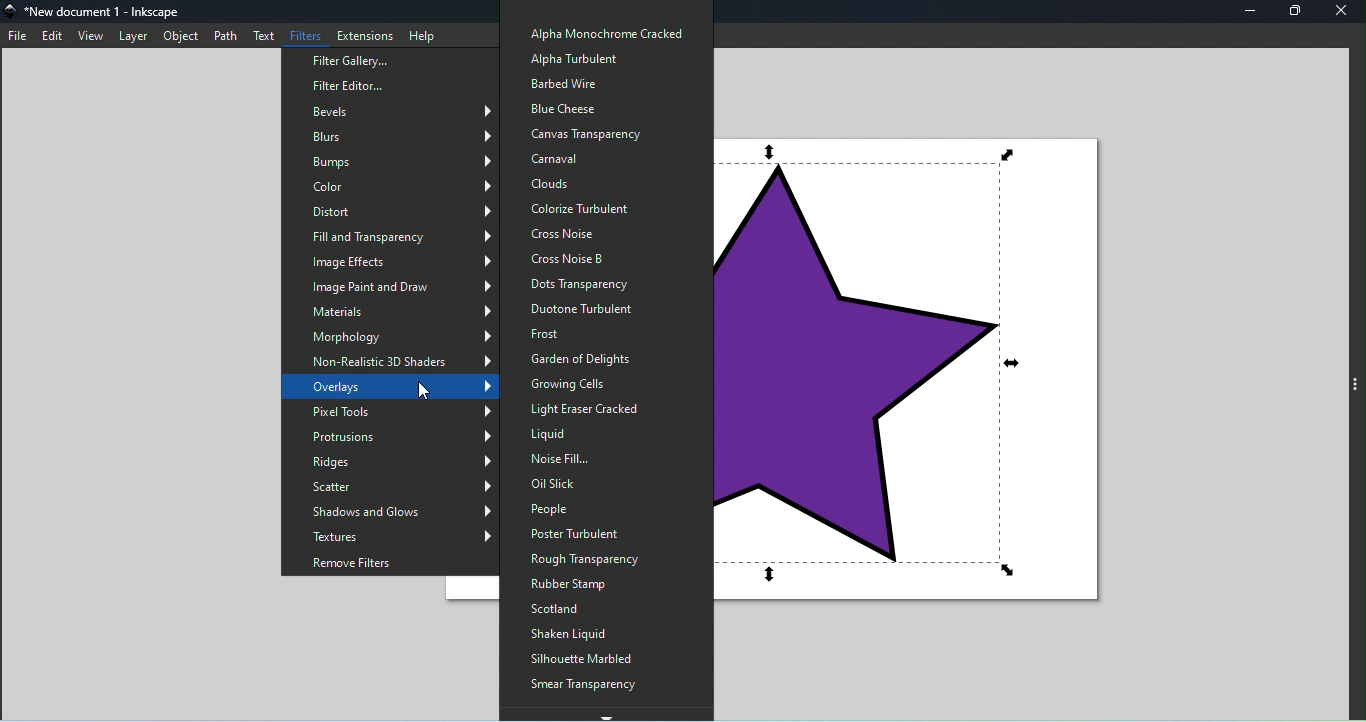 This screenshot has height=722, width=1366. What do you see at coordinates (397, 465) in the screenshot?
I see `Ridges` at bounding box center [397, 465].